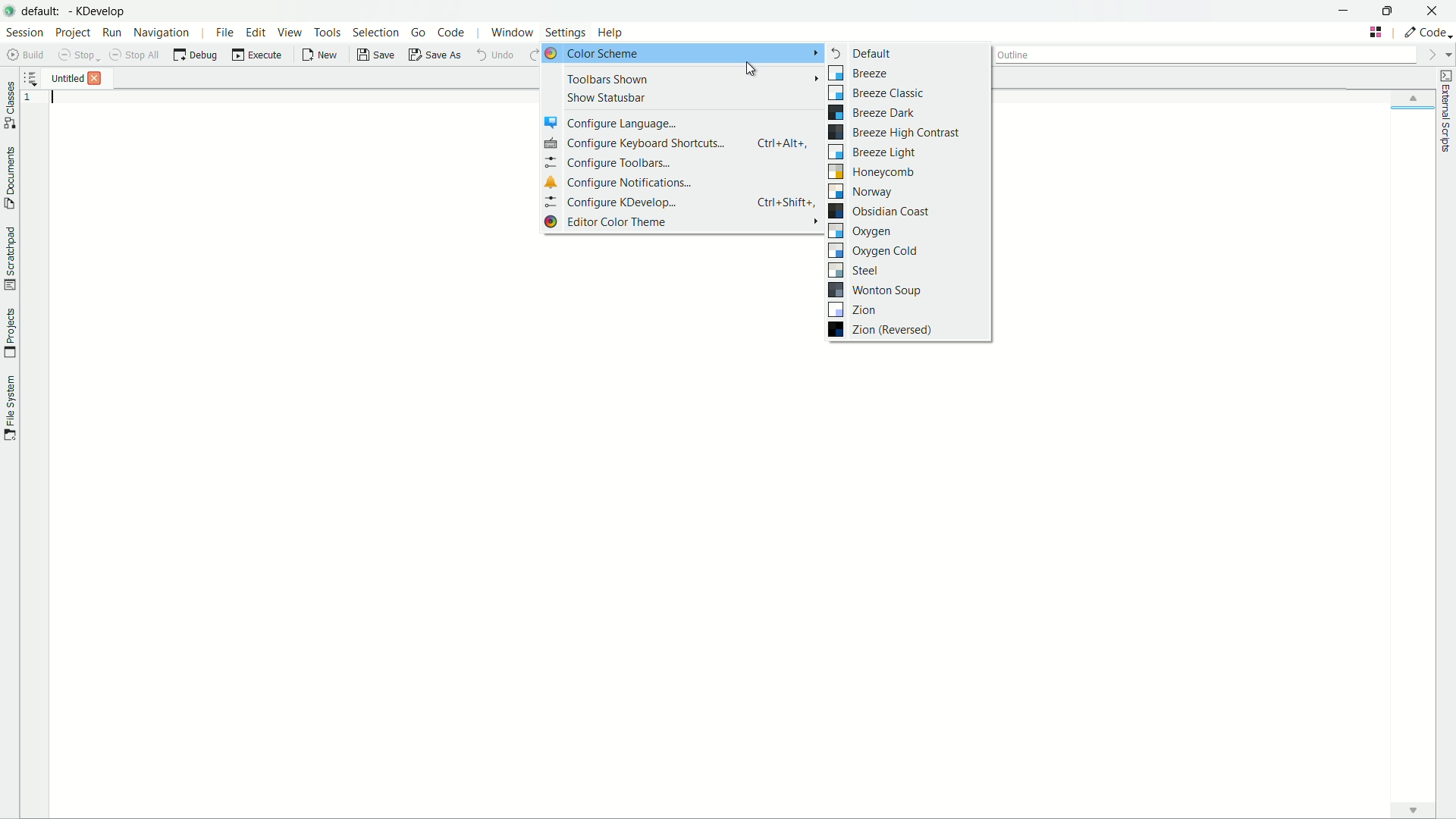  I want to click on tools, so click(328, 33).